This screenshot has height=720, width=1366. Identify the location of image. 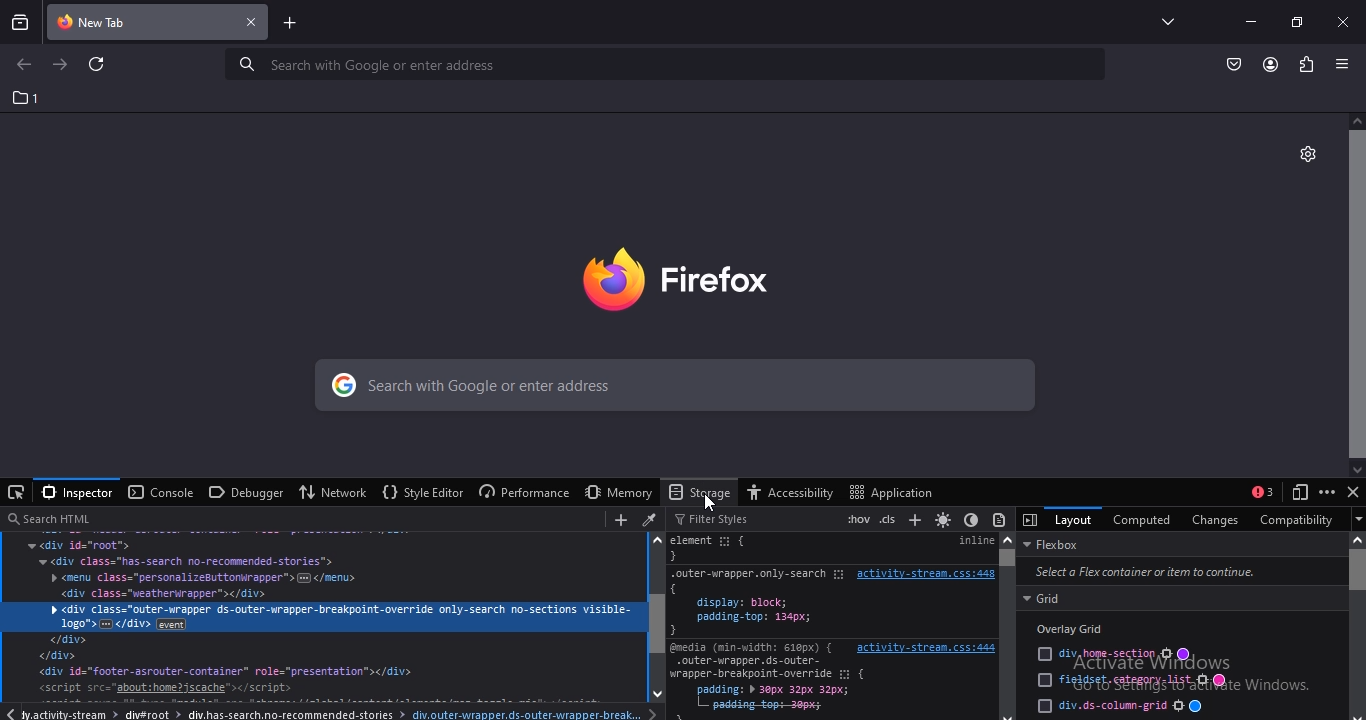
(706, 275).